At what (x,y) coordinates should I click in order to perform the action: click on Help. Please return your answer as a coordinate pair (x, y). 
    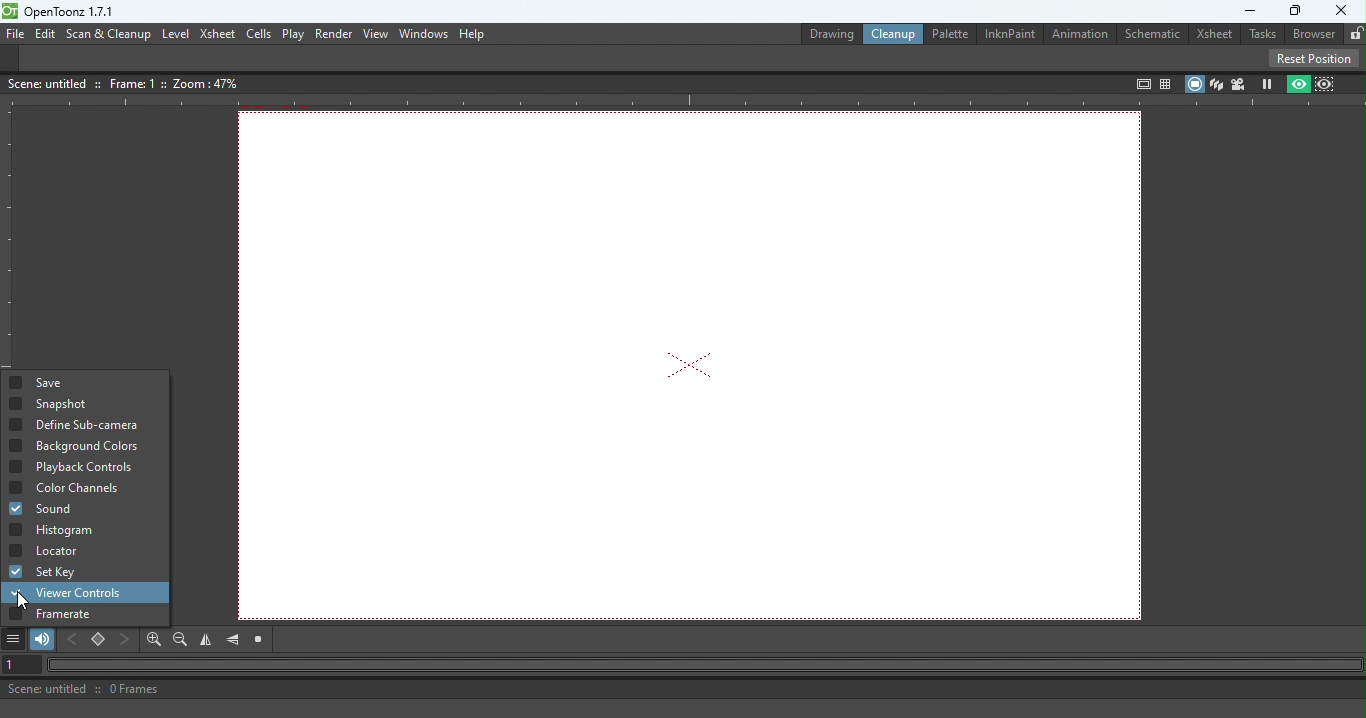
    Looking at the image, I should click on (473, 33).